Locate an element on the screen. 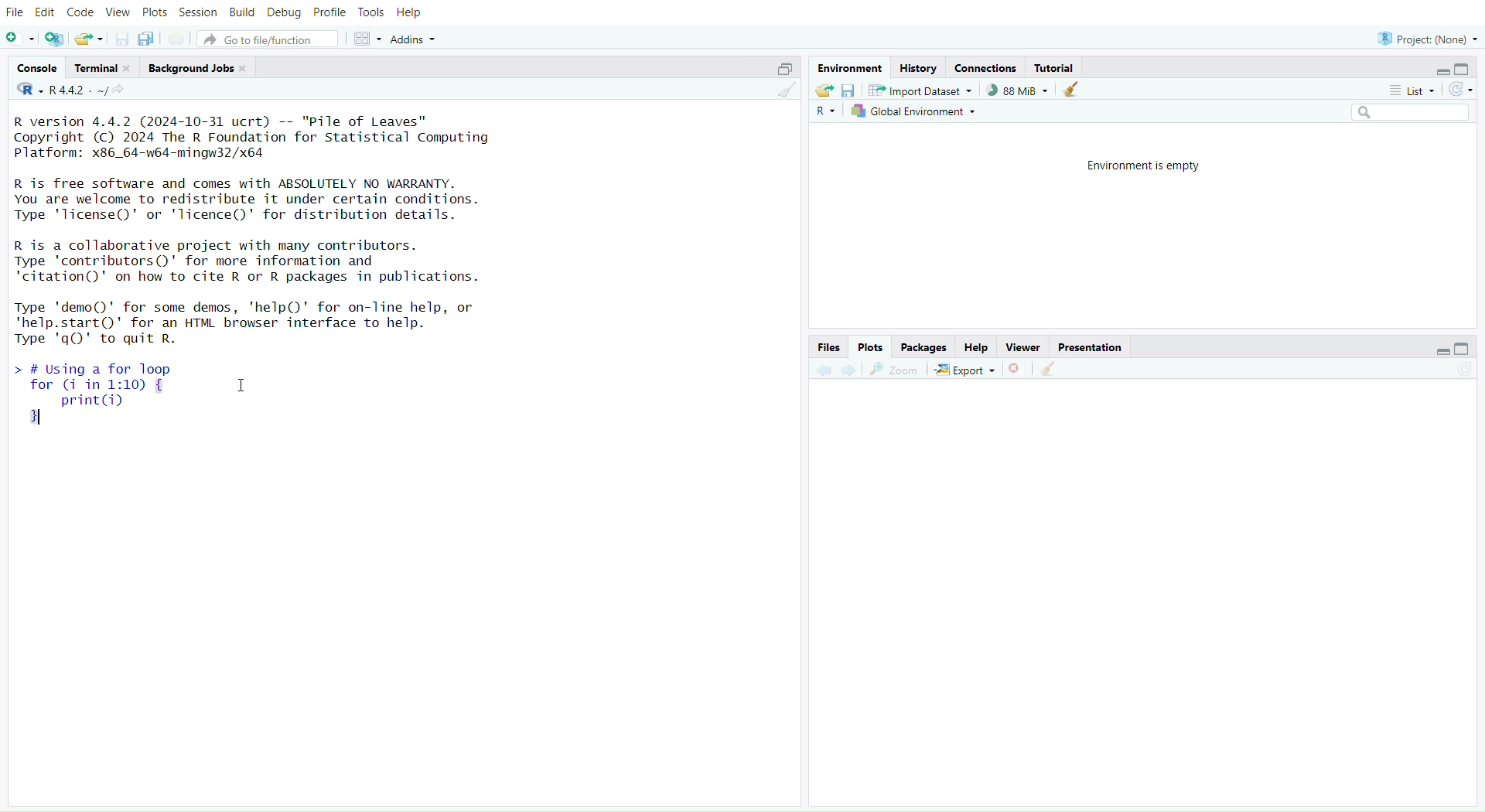  zoom is located at coordinates (893, 370).